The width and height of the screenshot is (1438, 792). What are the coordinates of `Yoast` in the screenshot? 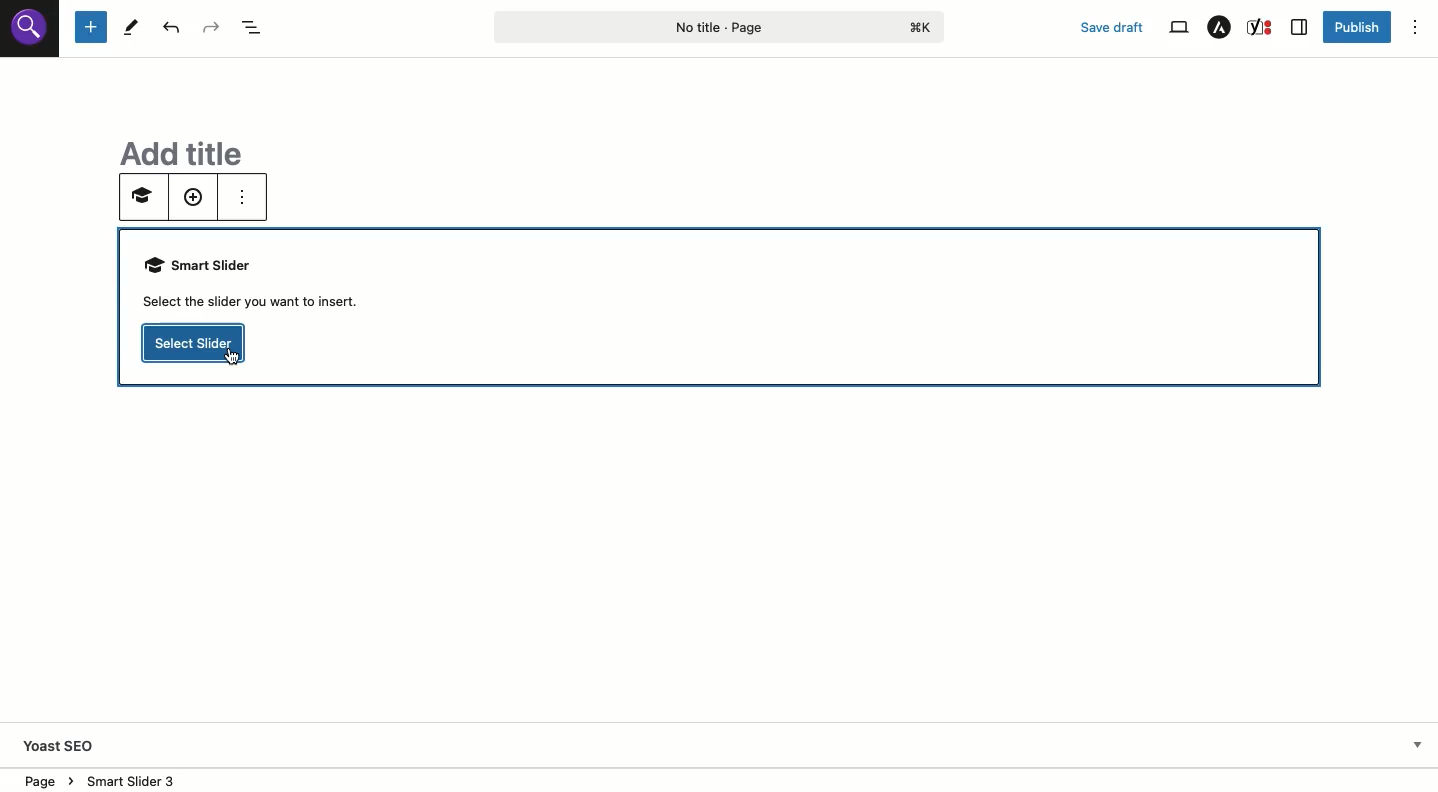 It's located at (1262, 27).